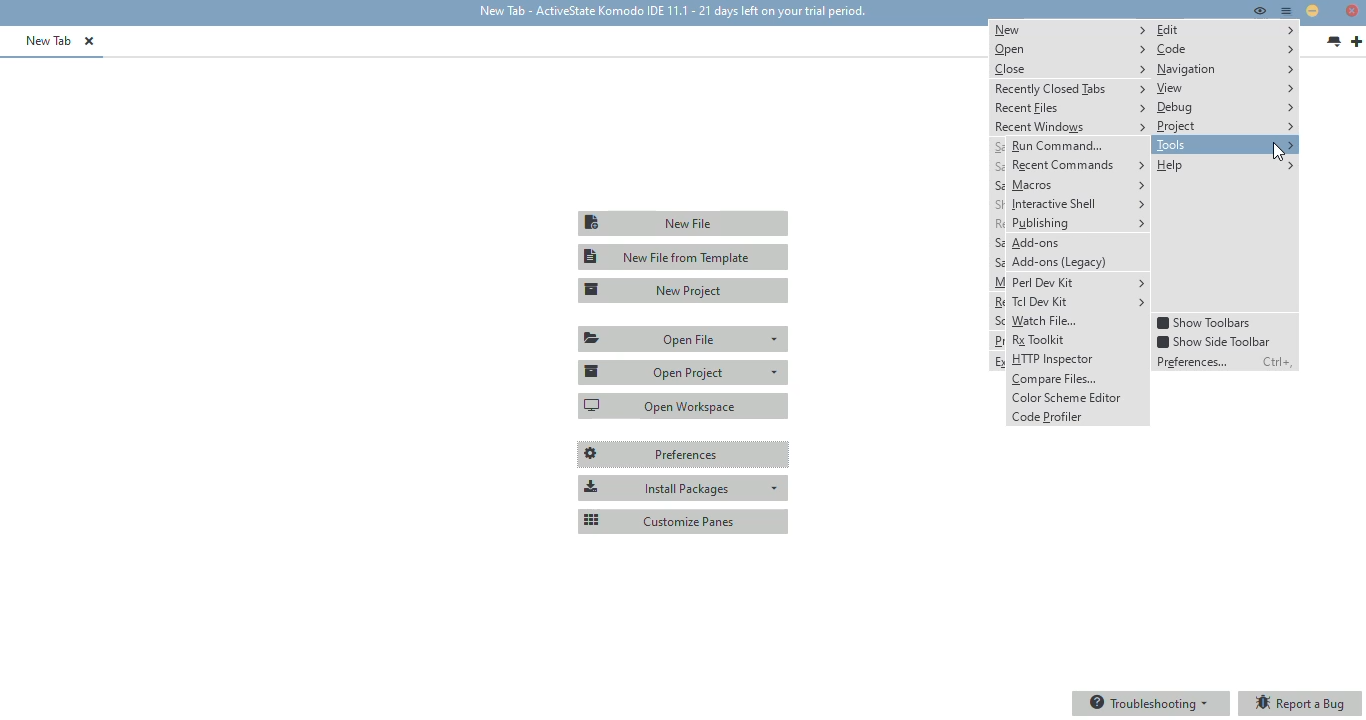 This screenshot has width=1366, height=720. I want to click on Publishing, so click(1080, 224).